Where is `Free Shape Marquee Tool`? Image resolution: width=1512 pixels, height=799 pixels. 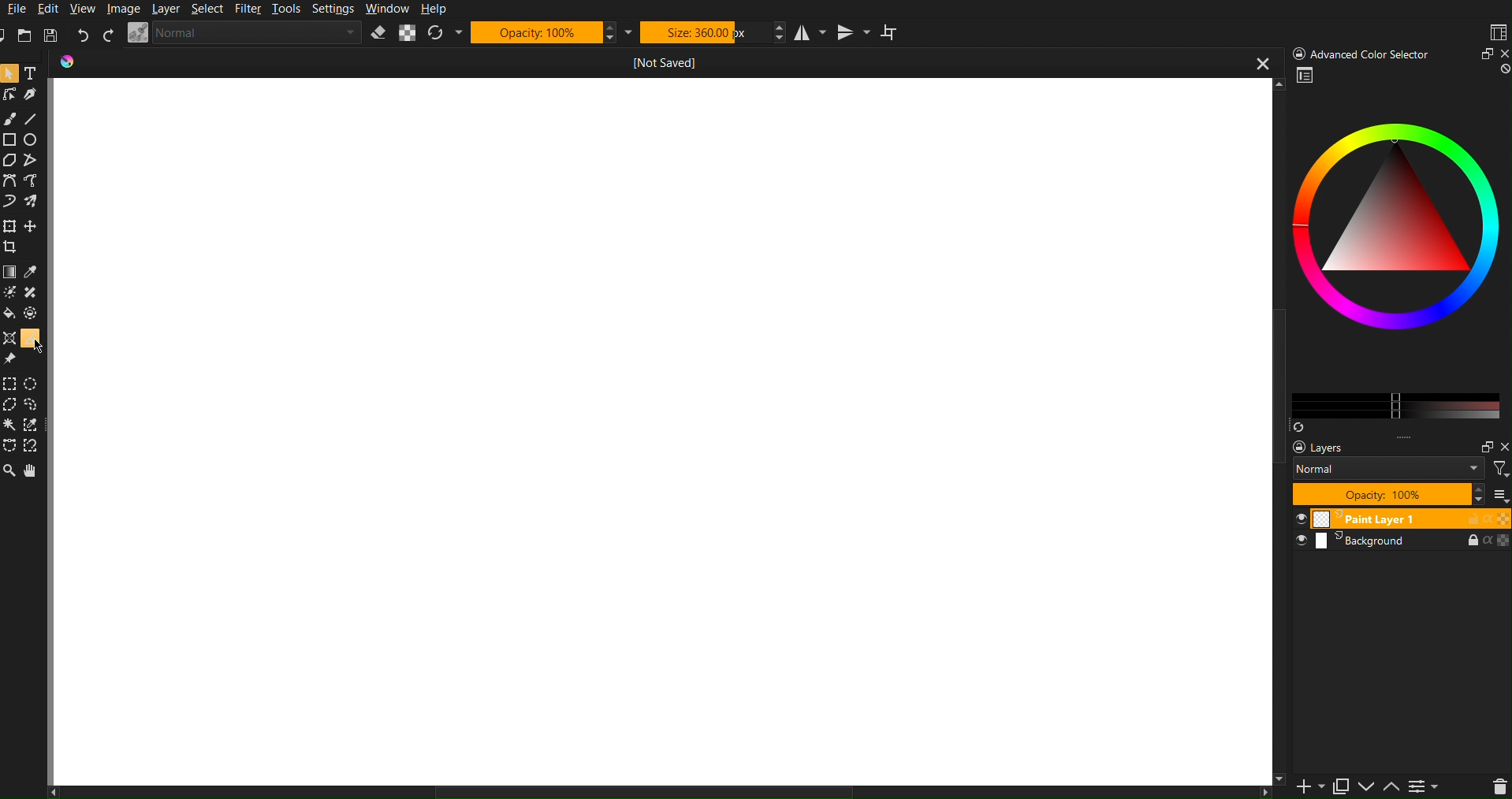
Free Shape Marquee Tool is located at coordinates (34, 405).